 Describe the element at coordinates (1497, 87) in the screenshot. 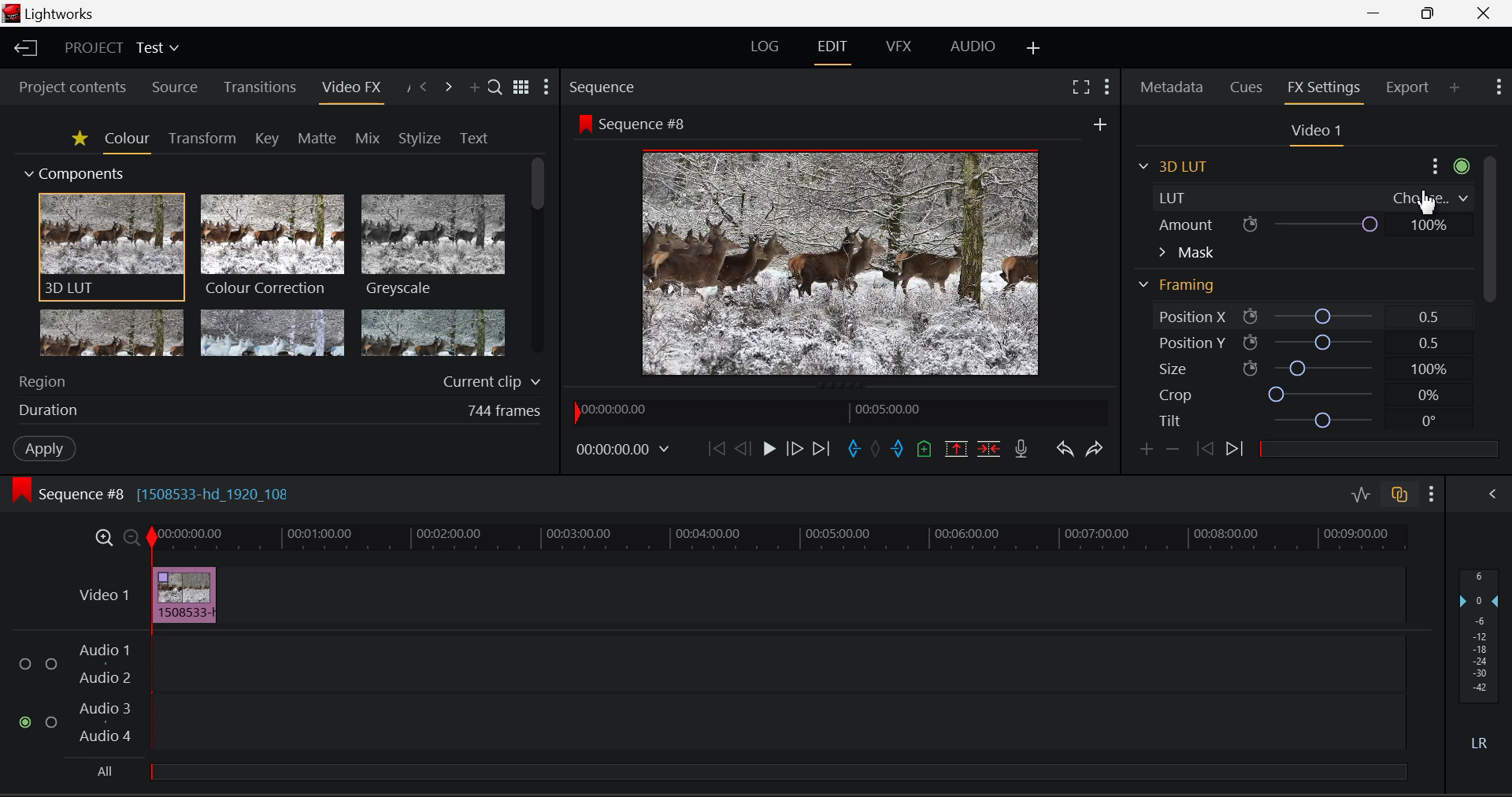

I see `Show Settings` at that location.